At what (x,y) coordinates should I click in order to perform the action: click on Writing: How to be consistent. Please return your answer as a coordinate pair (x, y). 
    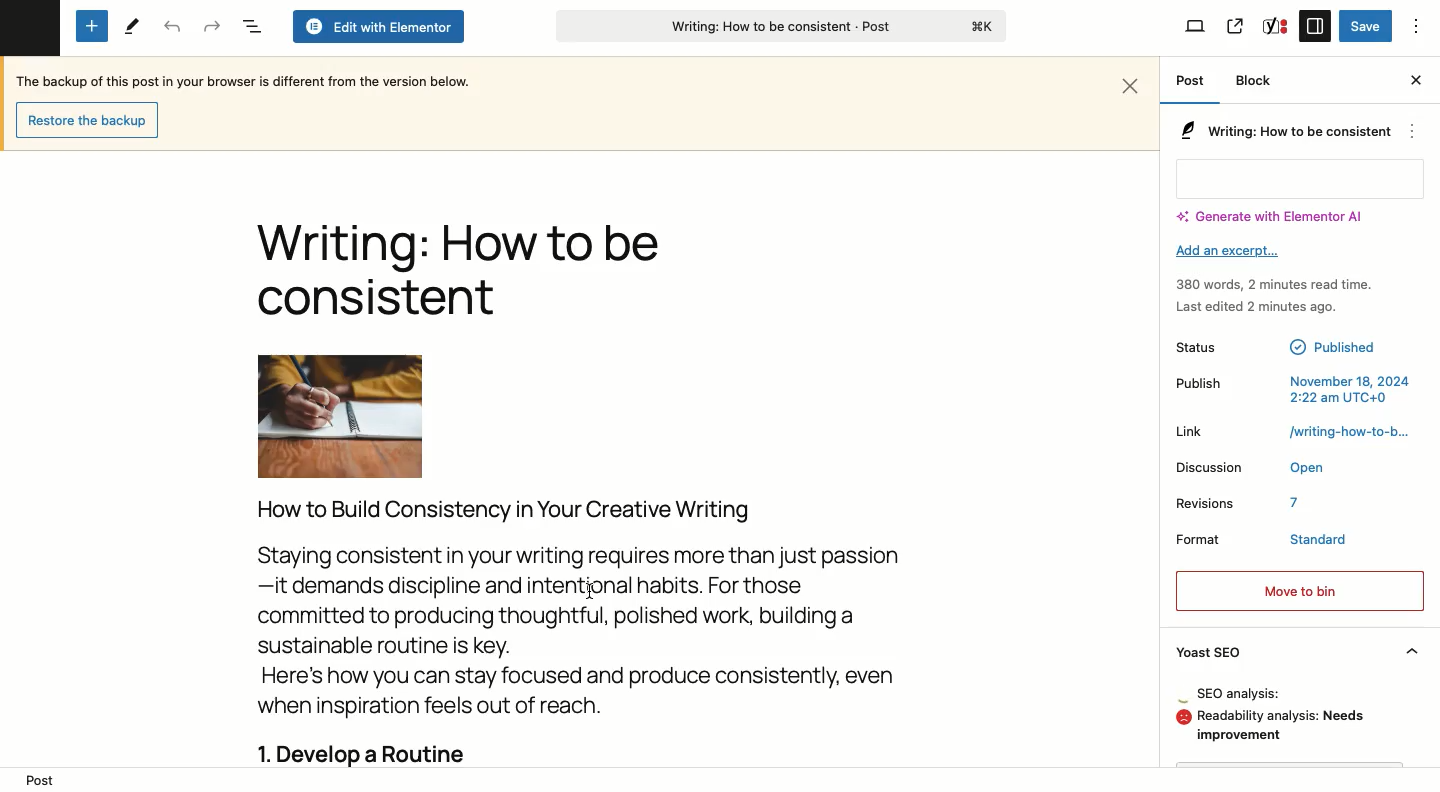
    Looking at the image, I should click on (779, 29).